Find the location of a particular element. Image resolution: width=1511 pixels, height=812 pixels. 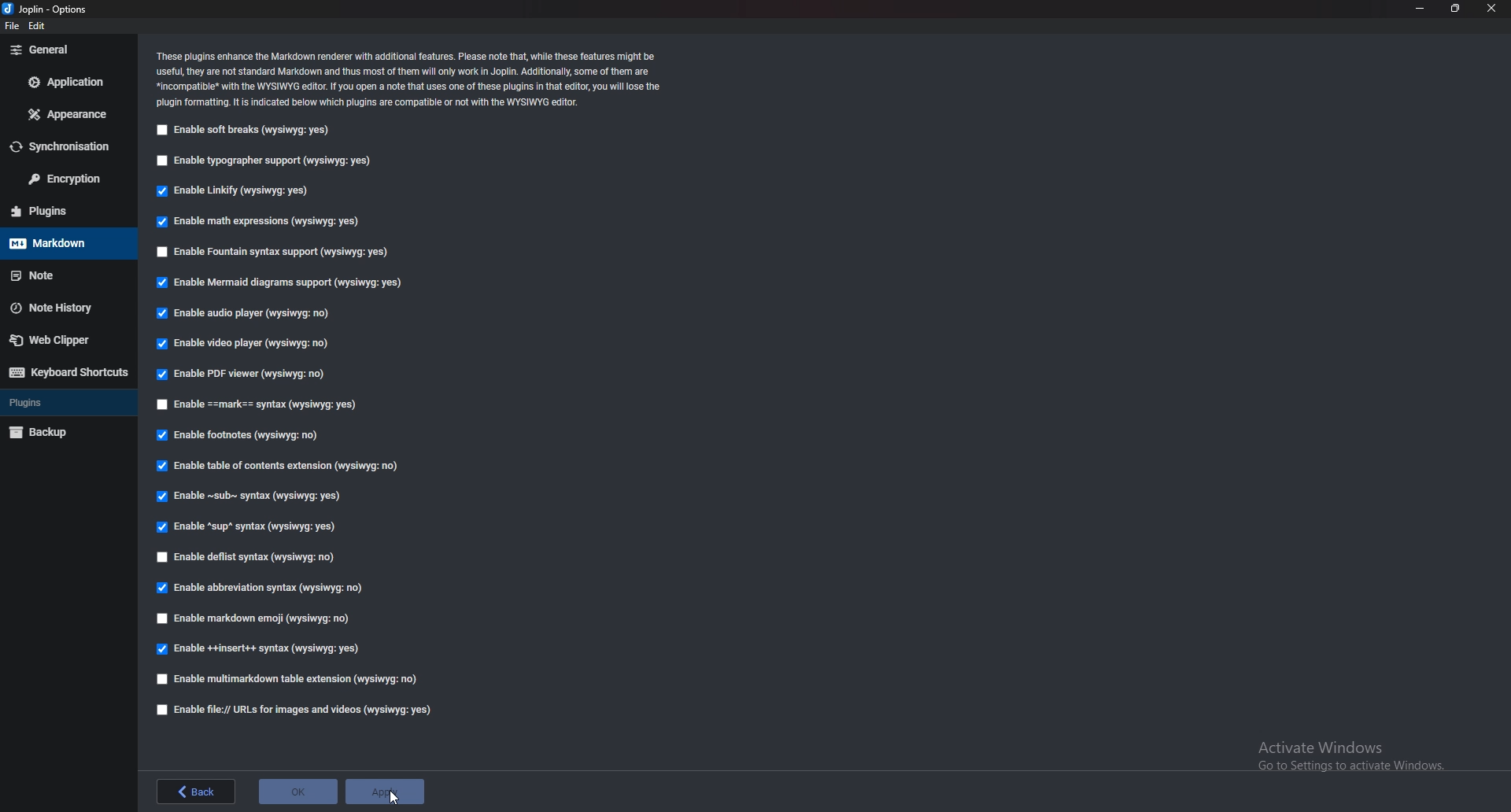

Enable sup syntax is located at coordinates (253, 526).